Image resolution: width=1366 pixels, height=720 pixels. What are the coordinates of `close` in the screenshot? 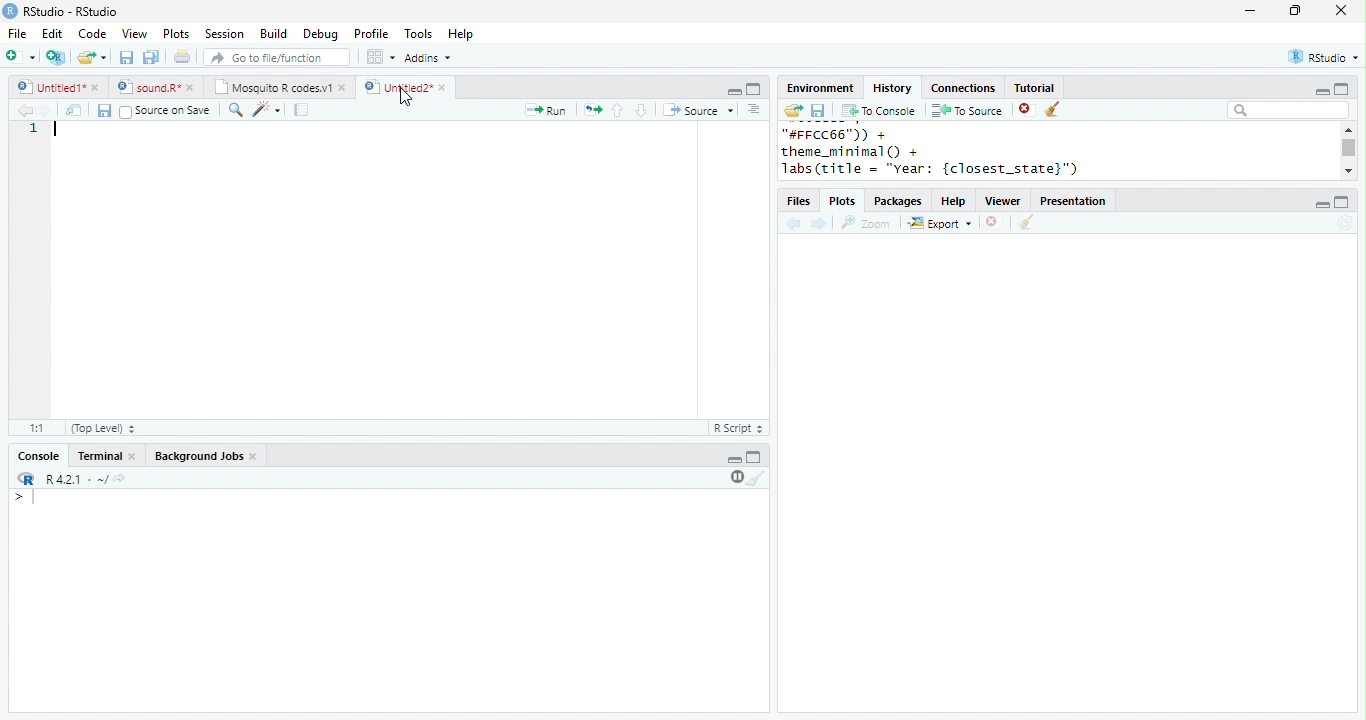 It's located at (344, 89).